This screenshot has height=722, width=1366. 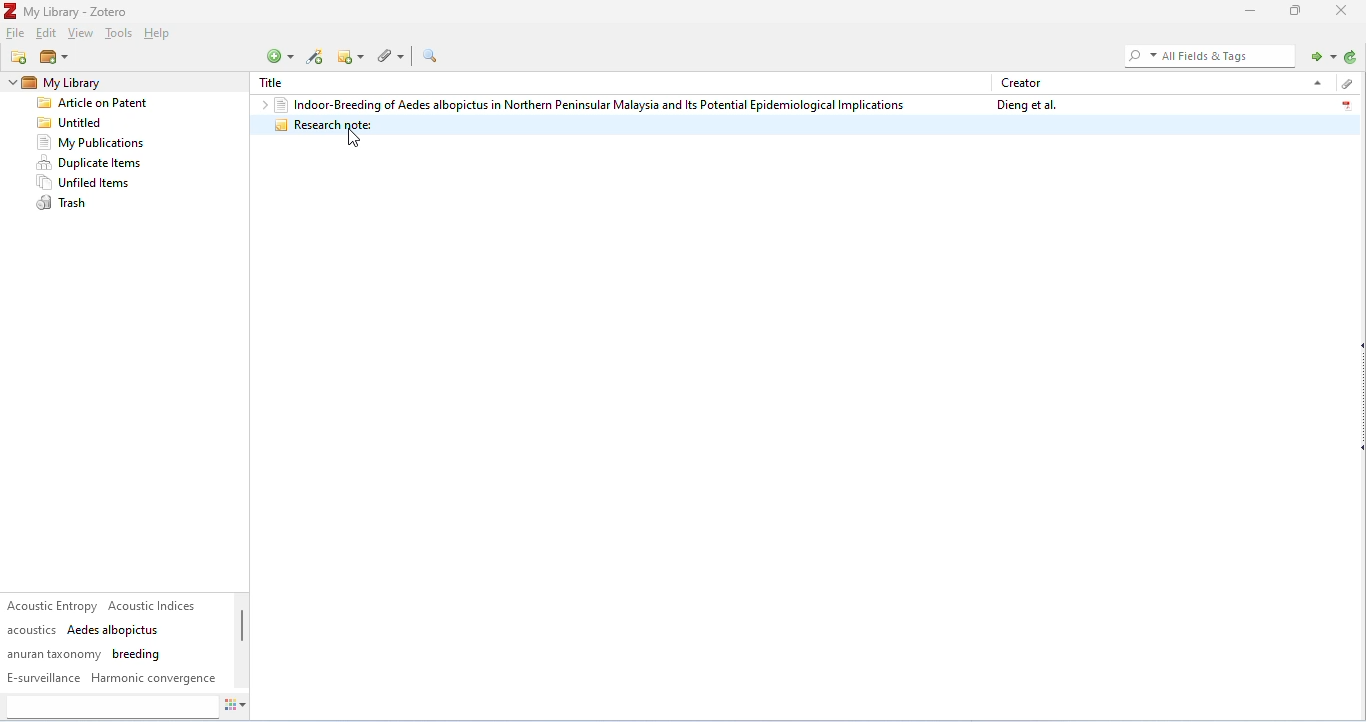 What do you see at coordinates (20, 57) in the screenshot?
I see `new collection` at bounding box center [20, 57].